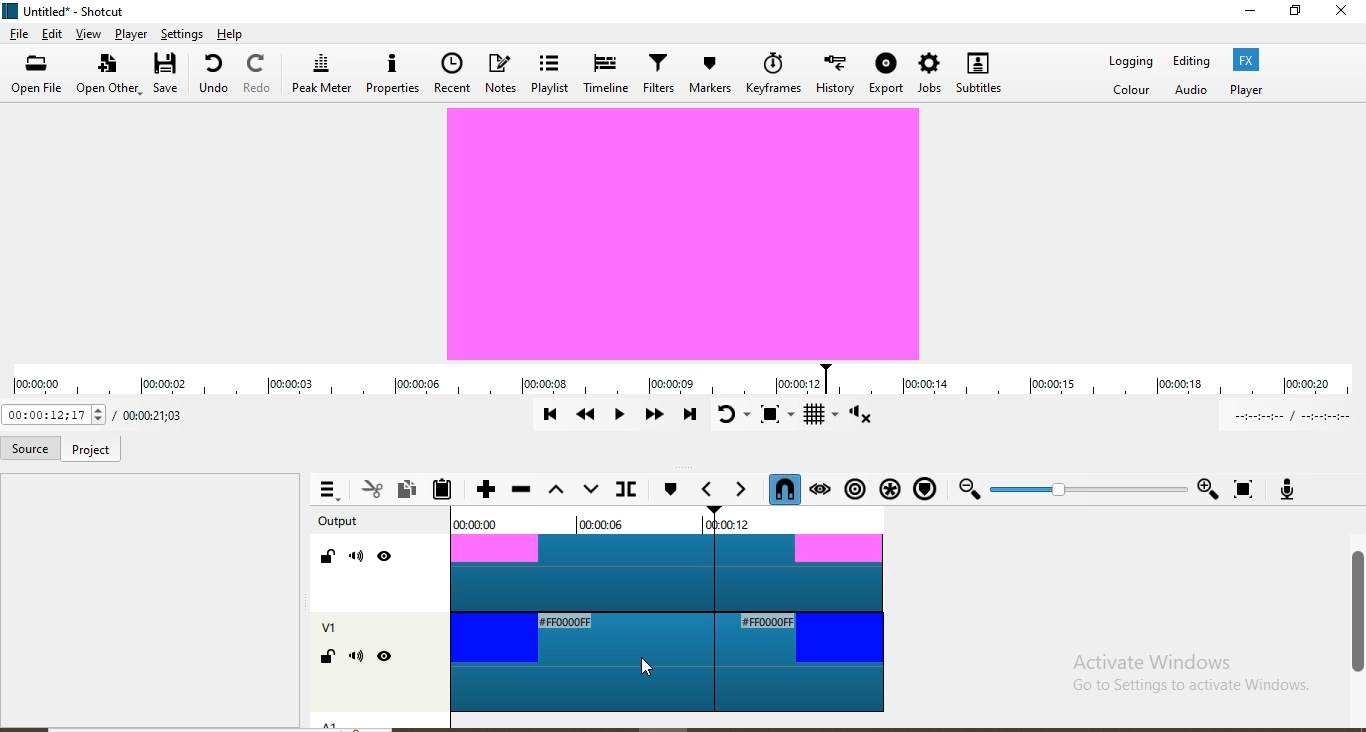 The image size is (1366, 732). What do you see at coordinates (820, 490) in the screenshot?
I see `Scrub while dragging` at bounding box center [820, 490].